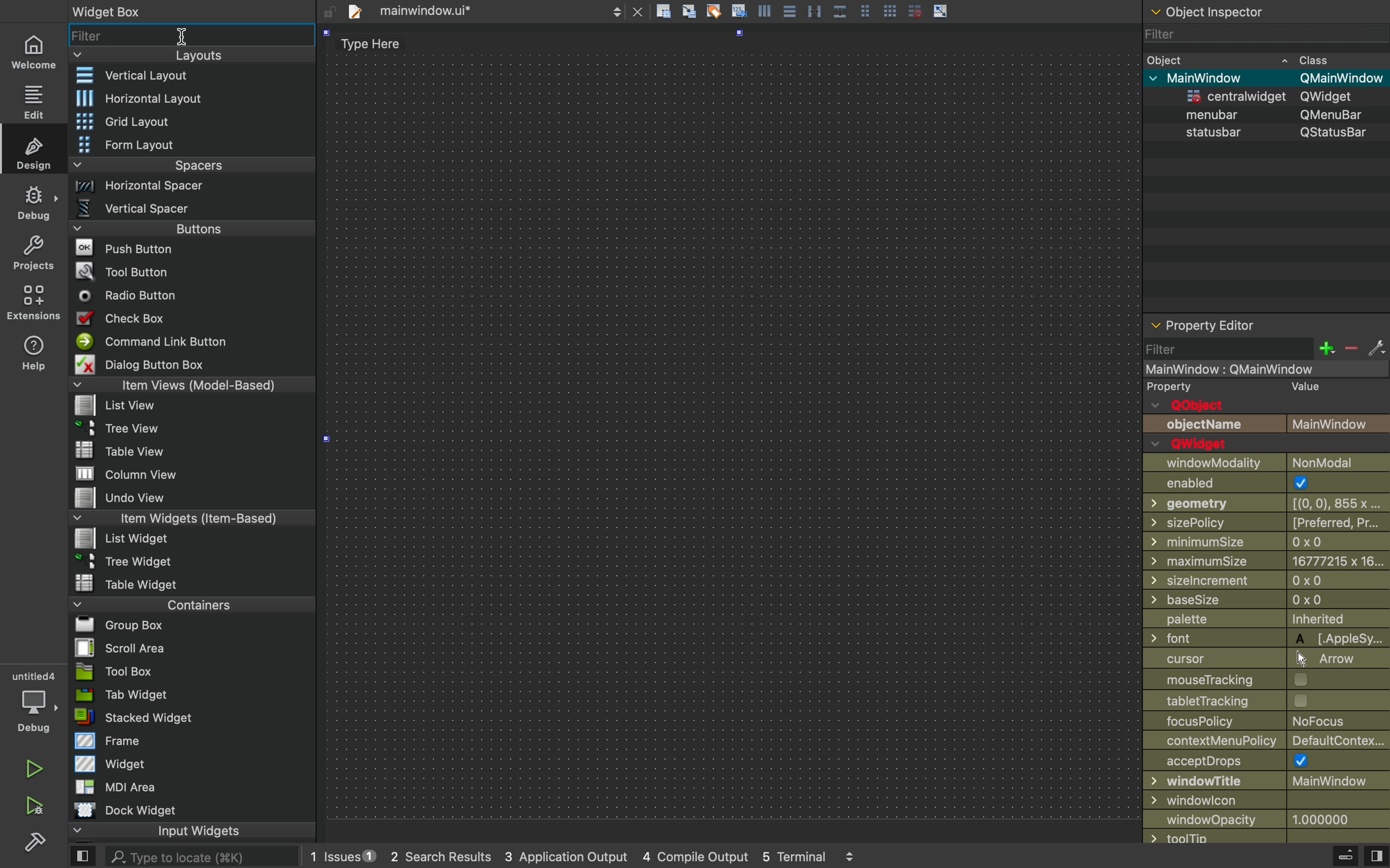  Describe the element at coordinates (145, 9) in the screenshot. I see `widget box` at that location.